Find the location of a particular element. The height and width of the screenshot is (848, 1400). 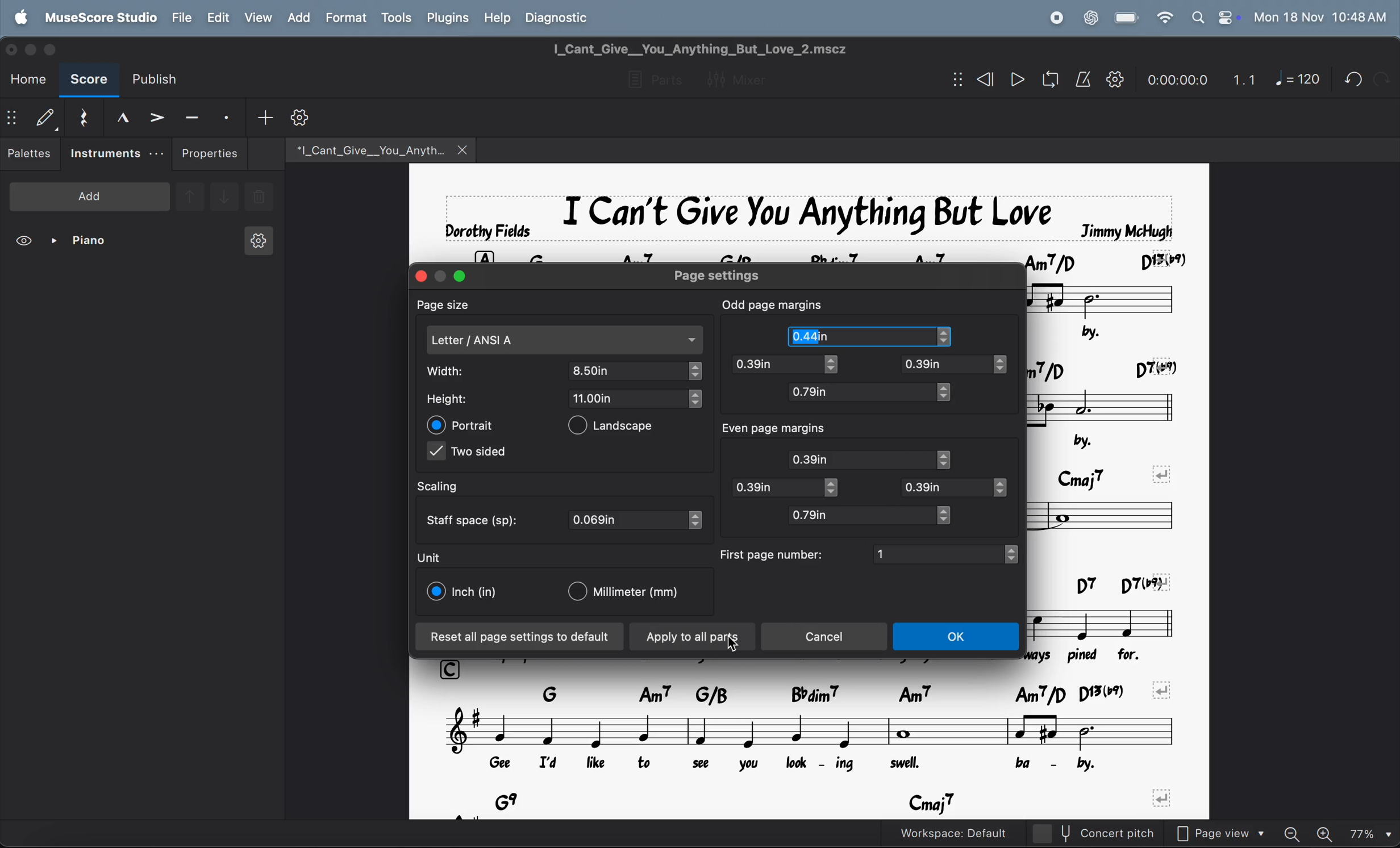

control center is located at coordinates (1226, 17).